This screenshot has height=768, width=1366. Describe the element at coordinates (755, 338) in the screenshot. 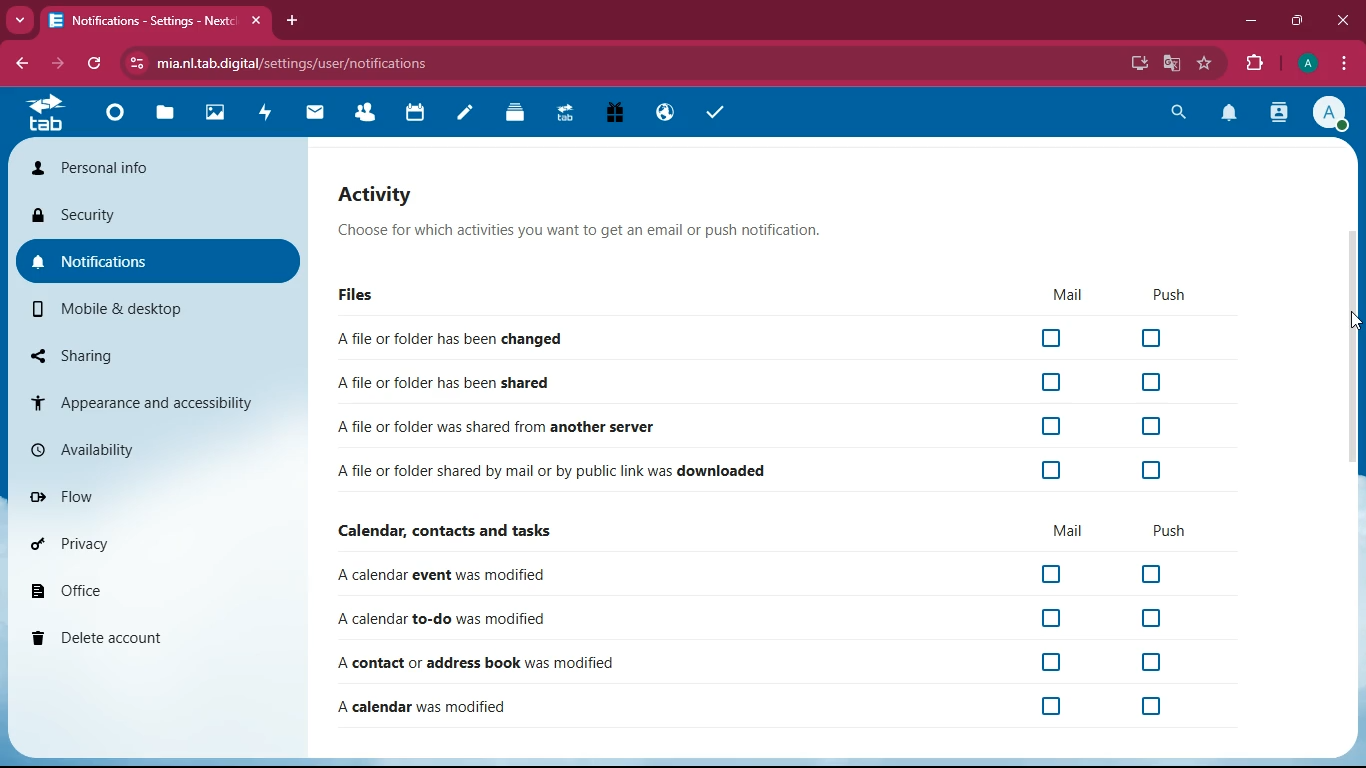

I see `A file or folder has been changed` at that location.